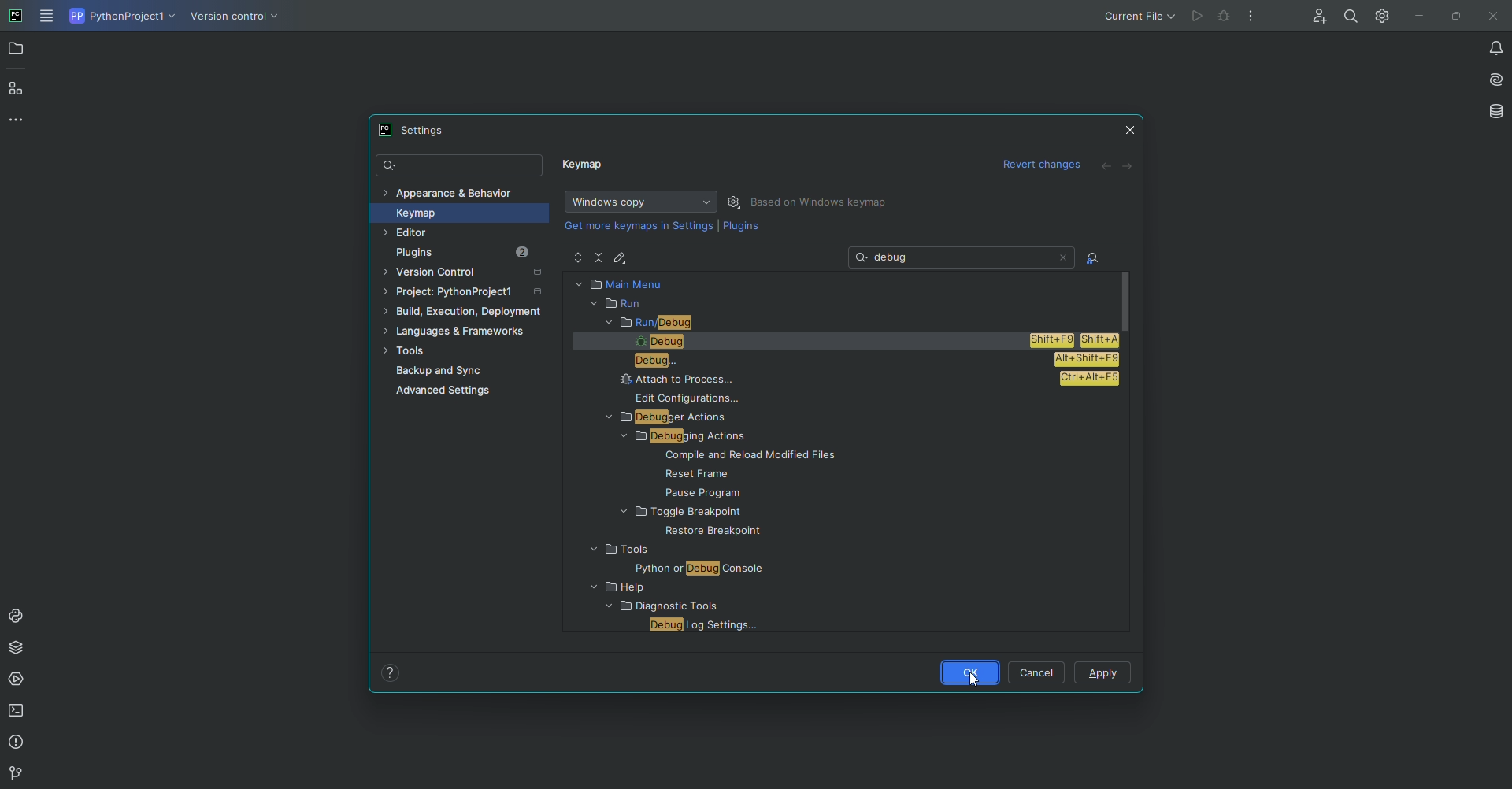 The width and height of the screenshot is (1512, 789). What do you see at coordinates (1128, 166) in the screenshot?
I see `Forward` at bounding box center [1128, 166].